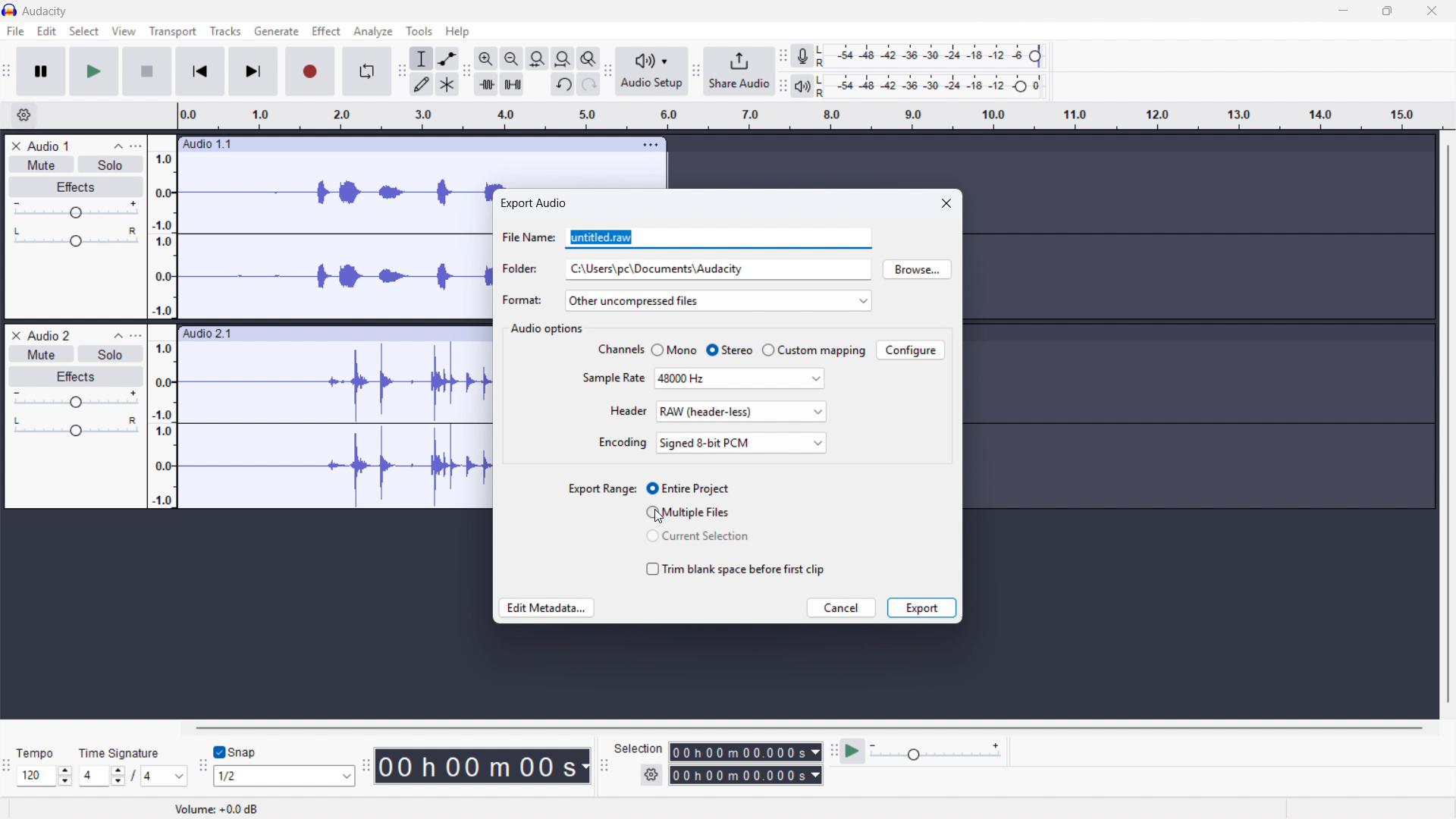 The height and width of the screenshot is (819, 1456). What do you see at coordinates (783, 56) in the screenshot?
I see `Recording metre toolbar` at bounding box center [783, 56].